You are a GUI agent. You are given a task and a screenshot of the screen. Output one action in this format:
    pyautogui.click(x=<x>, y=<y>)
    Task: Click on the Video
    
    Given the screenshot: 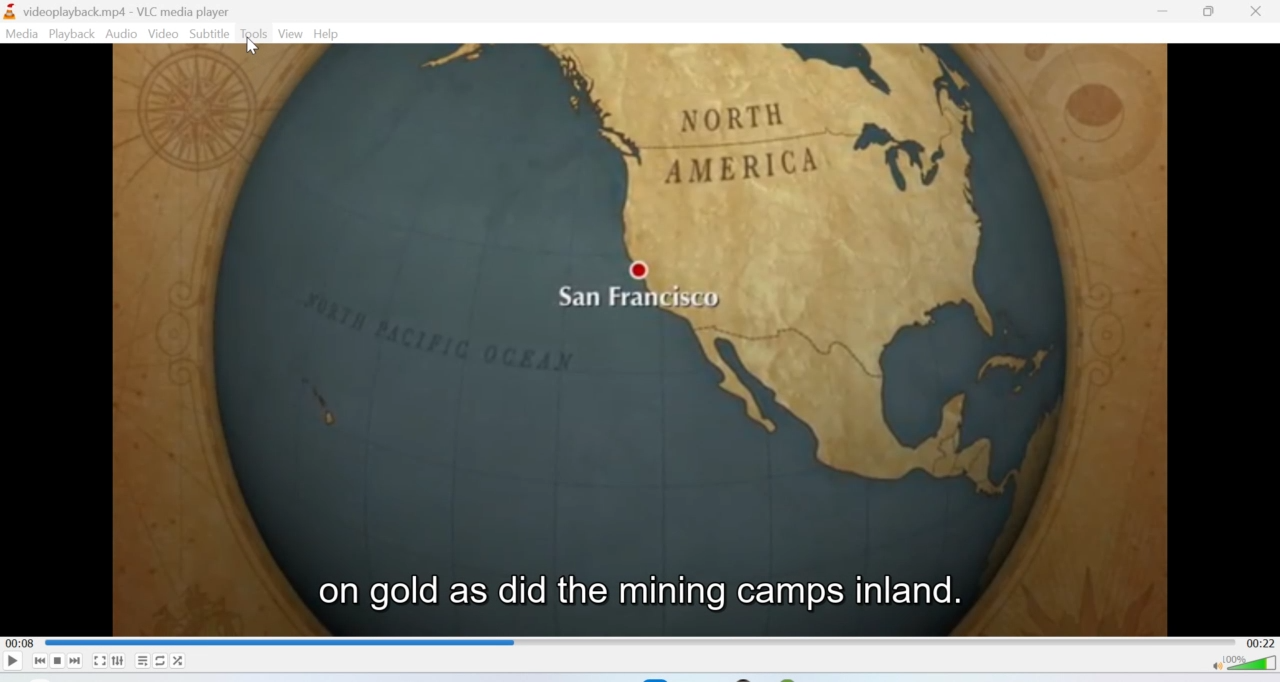 What is the action you would take?
    pyautogui.click(x=164, y=34)
    